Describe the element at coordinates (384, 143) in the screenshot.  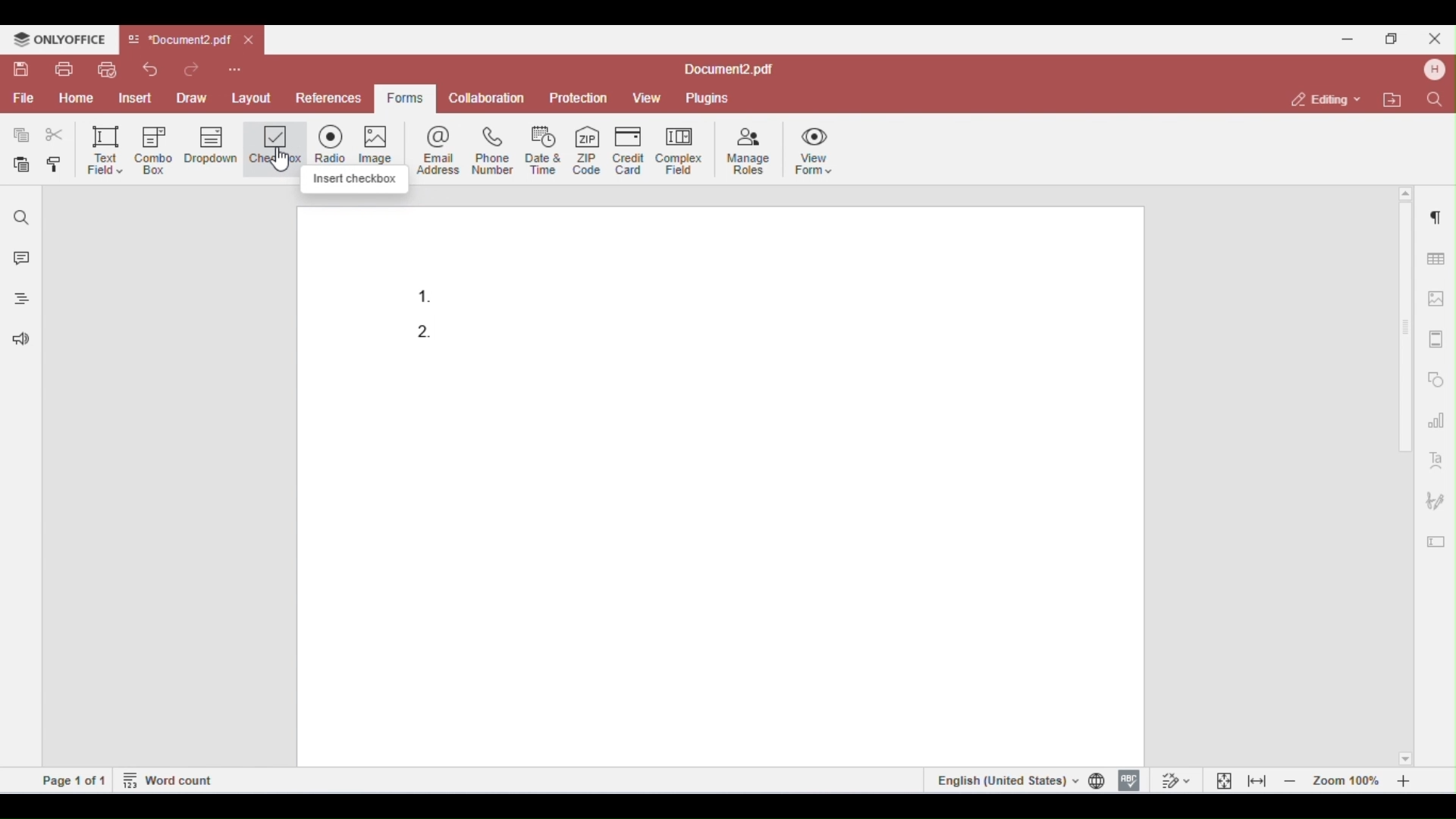
I see `image` at that location.